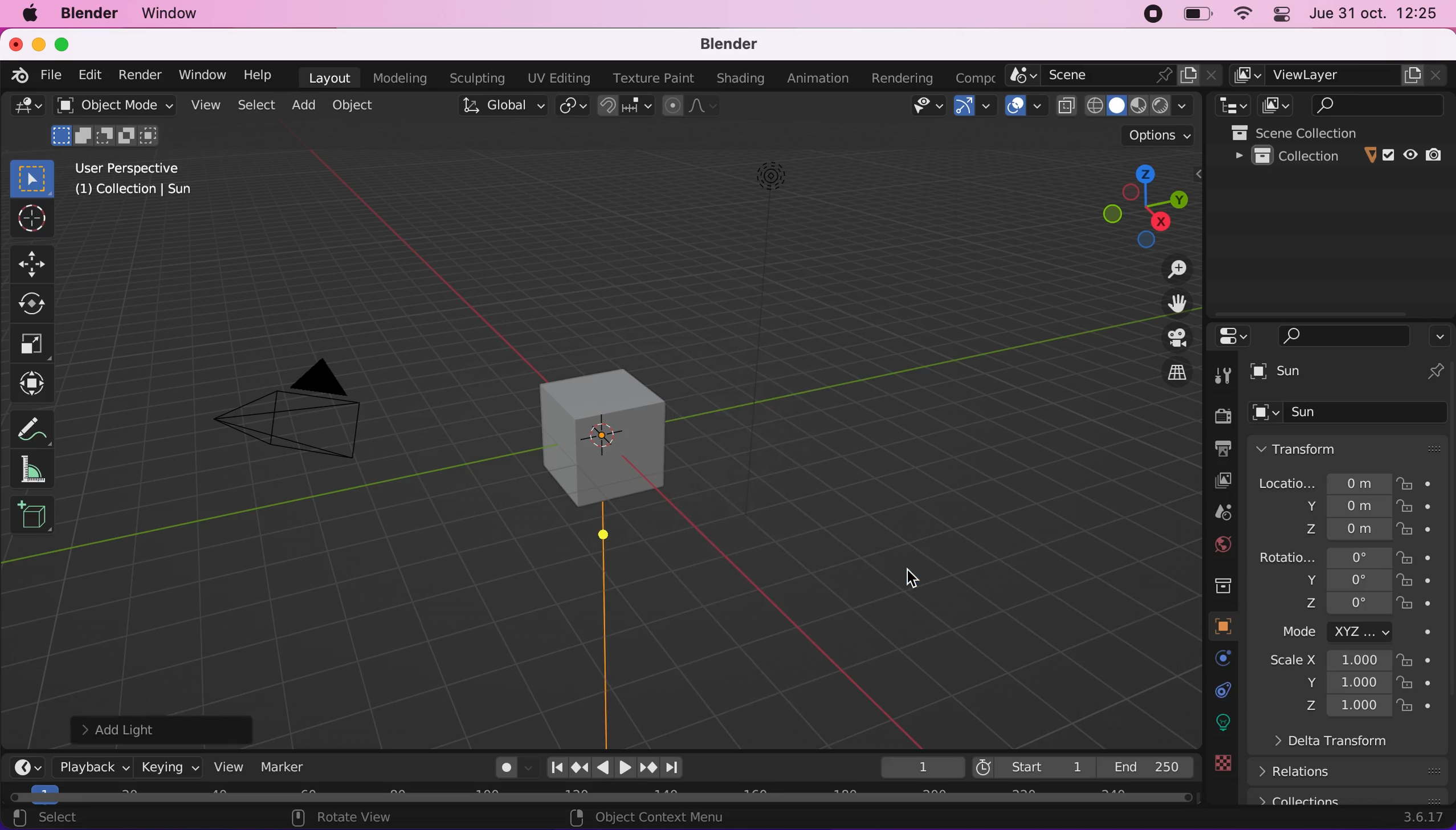 The height and width of the screenshot is (830, 1456). What do you see at coordinates (306, 107) in the screenshot?
I see `add` at bounding box center [306, 107].